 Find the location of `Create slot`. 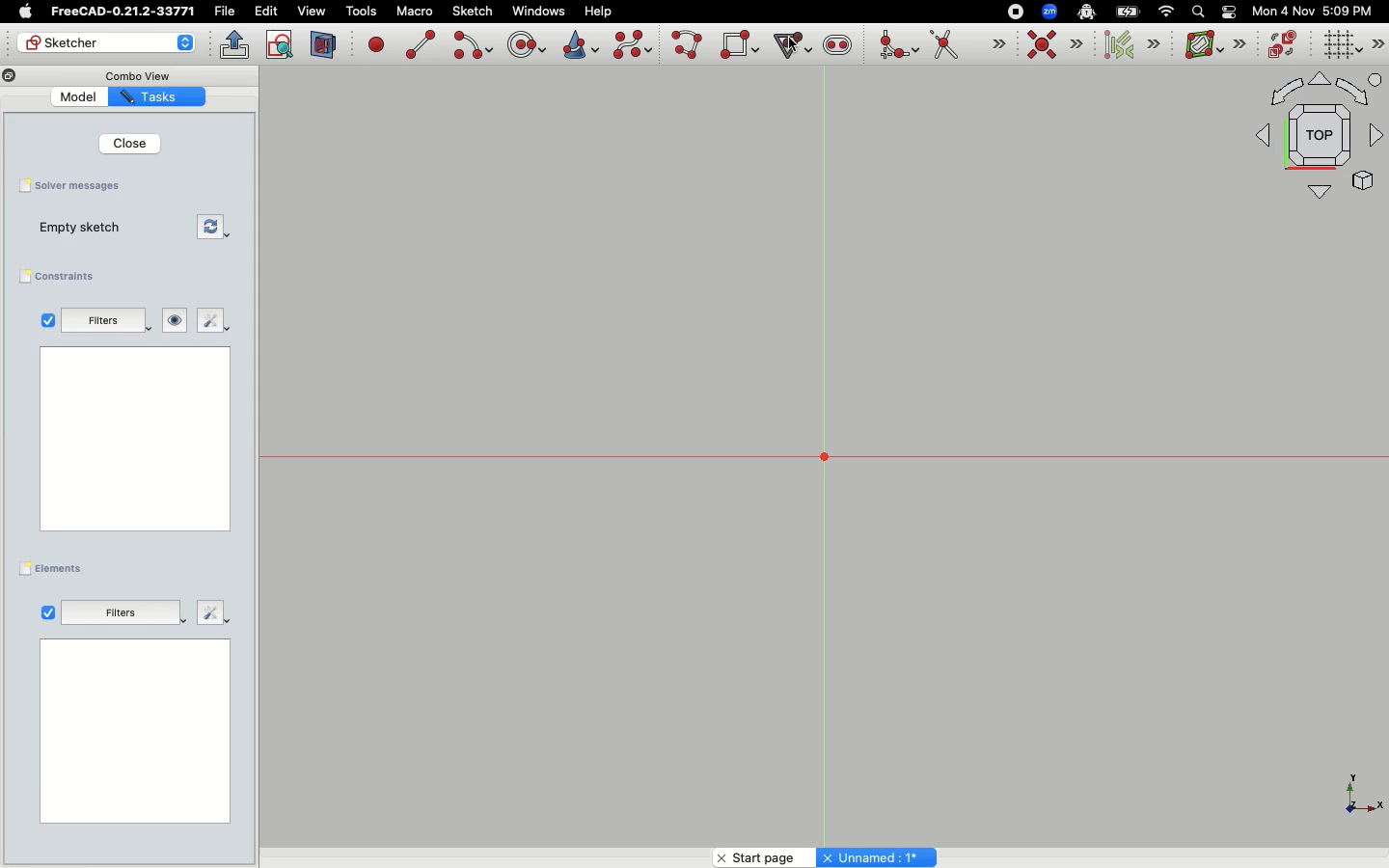

Create slot is located at coordinates (836, 47).